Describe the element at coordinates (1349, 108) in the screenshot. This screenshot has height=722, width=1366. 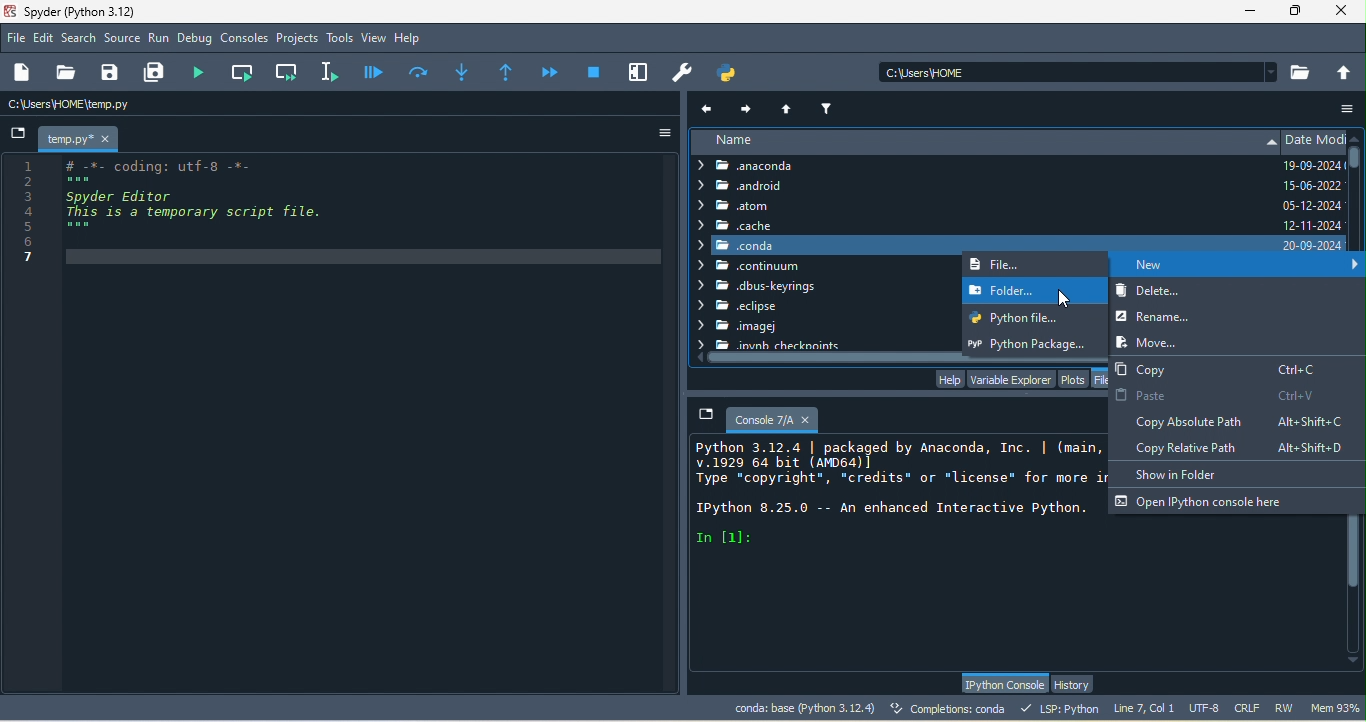
I see `more option` at that location.